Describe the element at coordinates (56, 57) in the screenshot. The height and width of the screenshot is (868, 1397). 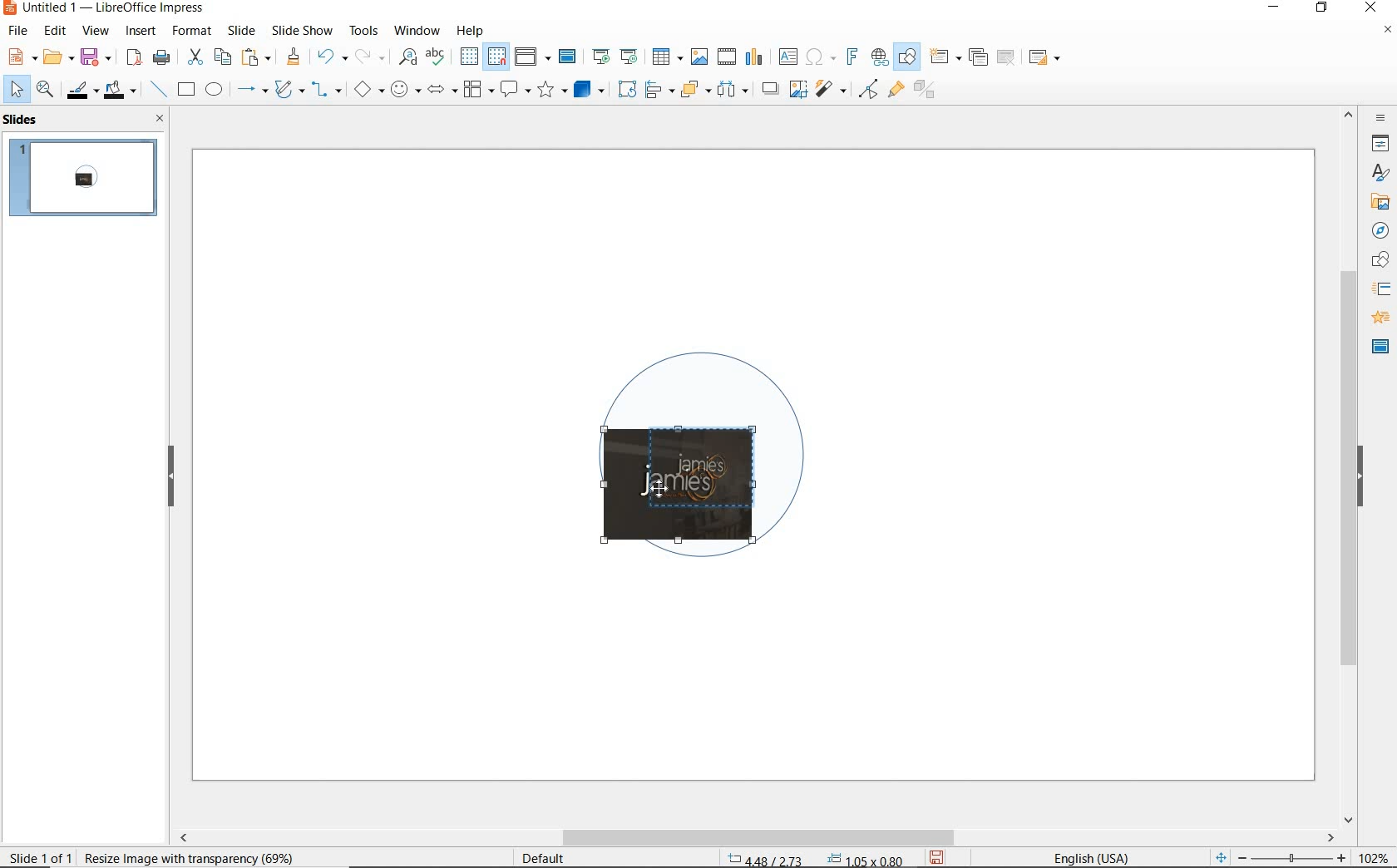
I see `open` at that location.